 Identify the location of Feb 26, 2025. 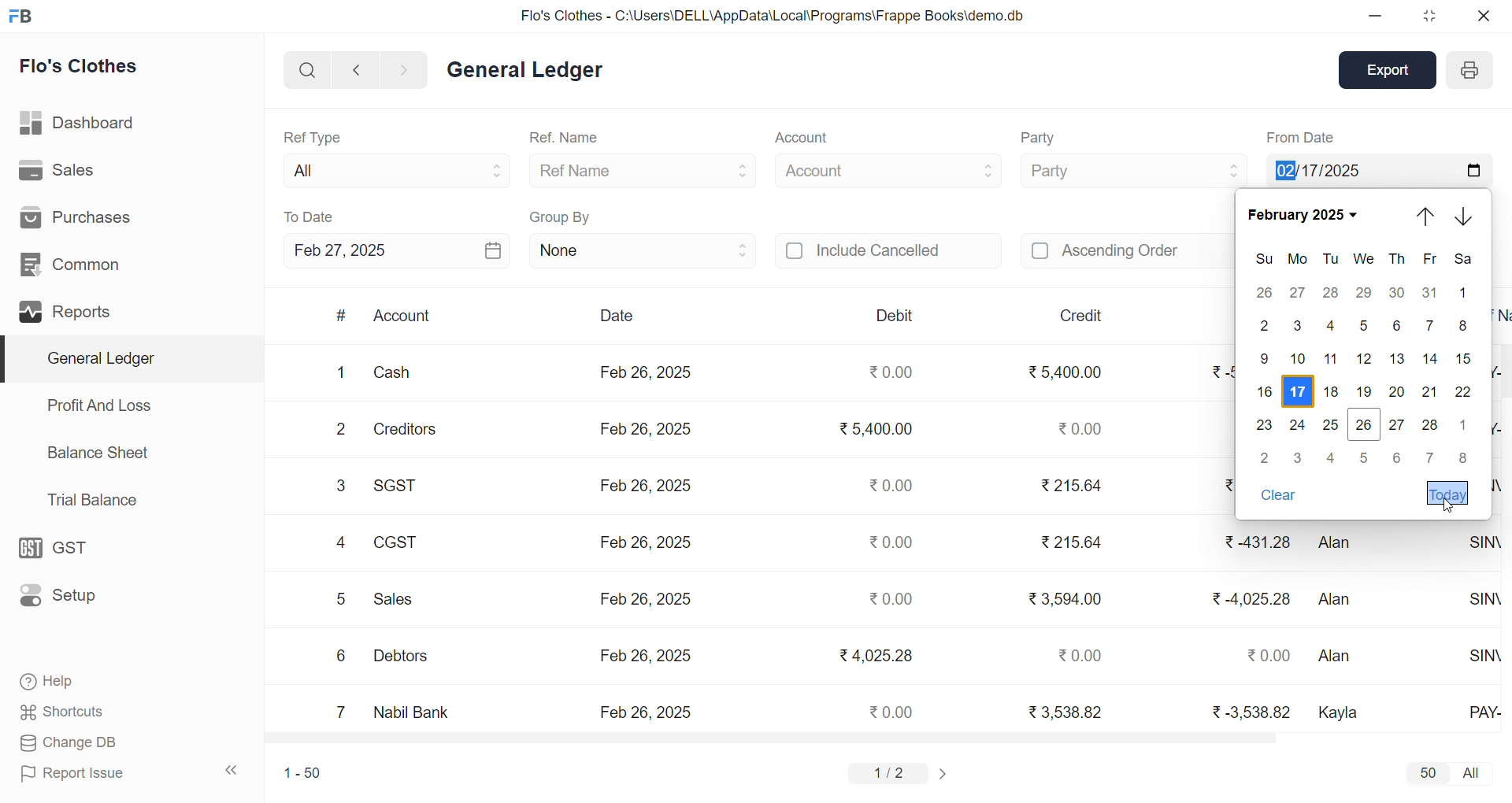
(649, 487).